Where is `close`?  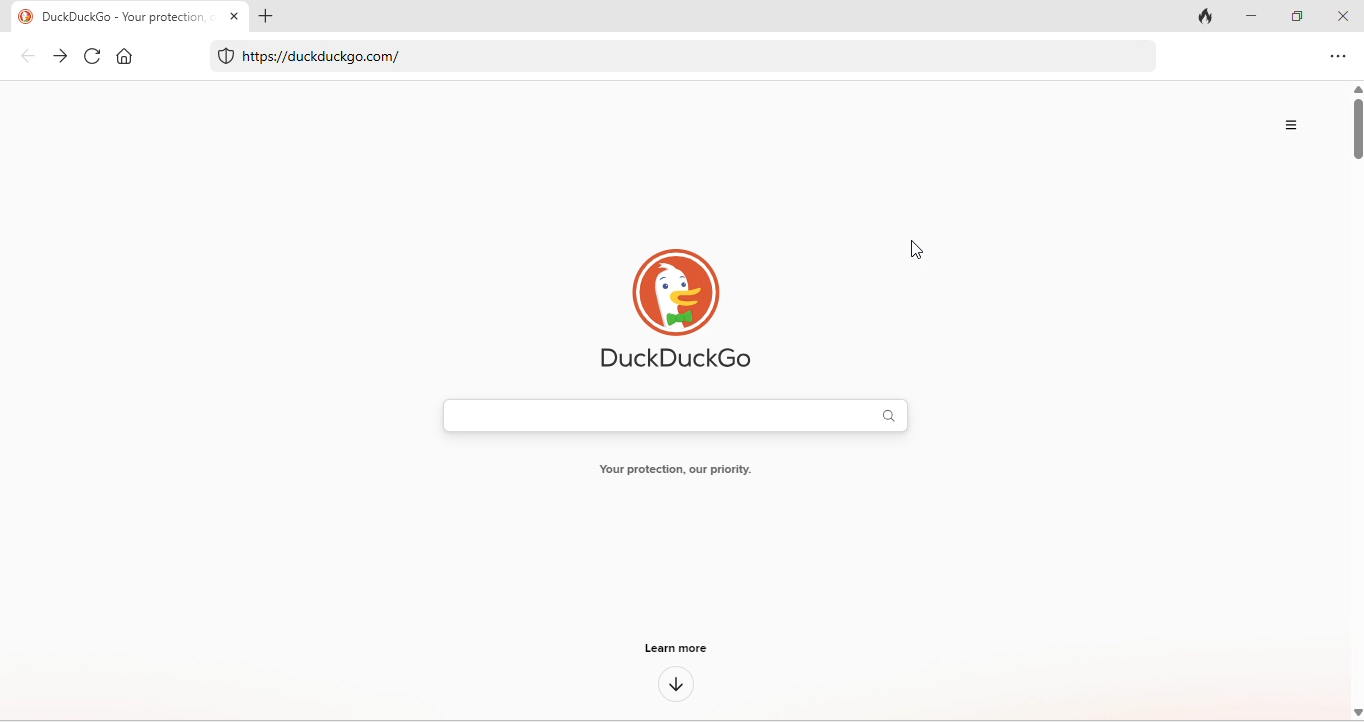 close is located at coordinates (1344, 14).